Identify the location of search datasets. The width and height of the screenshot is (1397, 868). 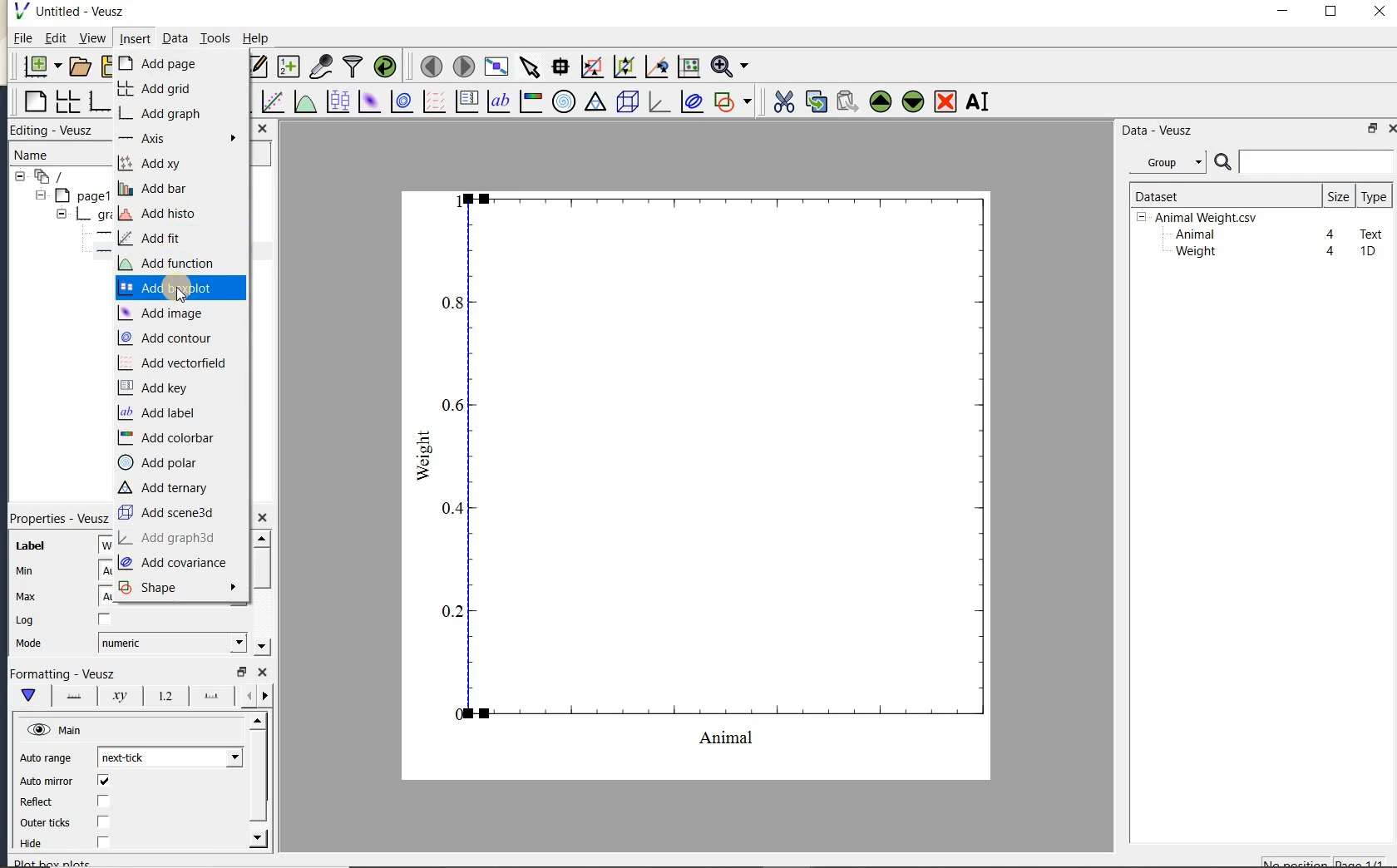
(1304, 162).